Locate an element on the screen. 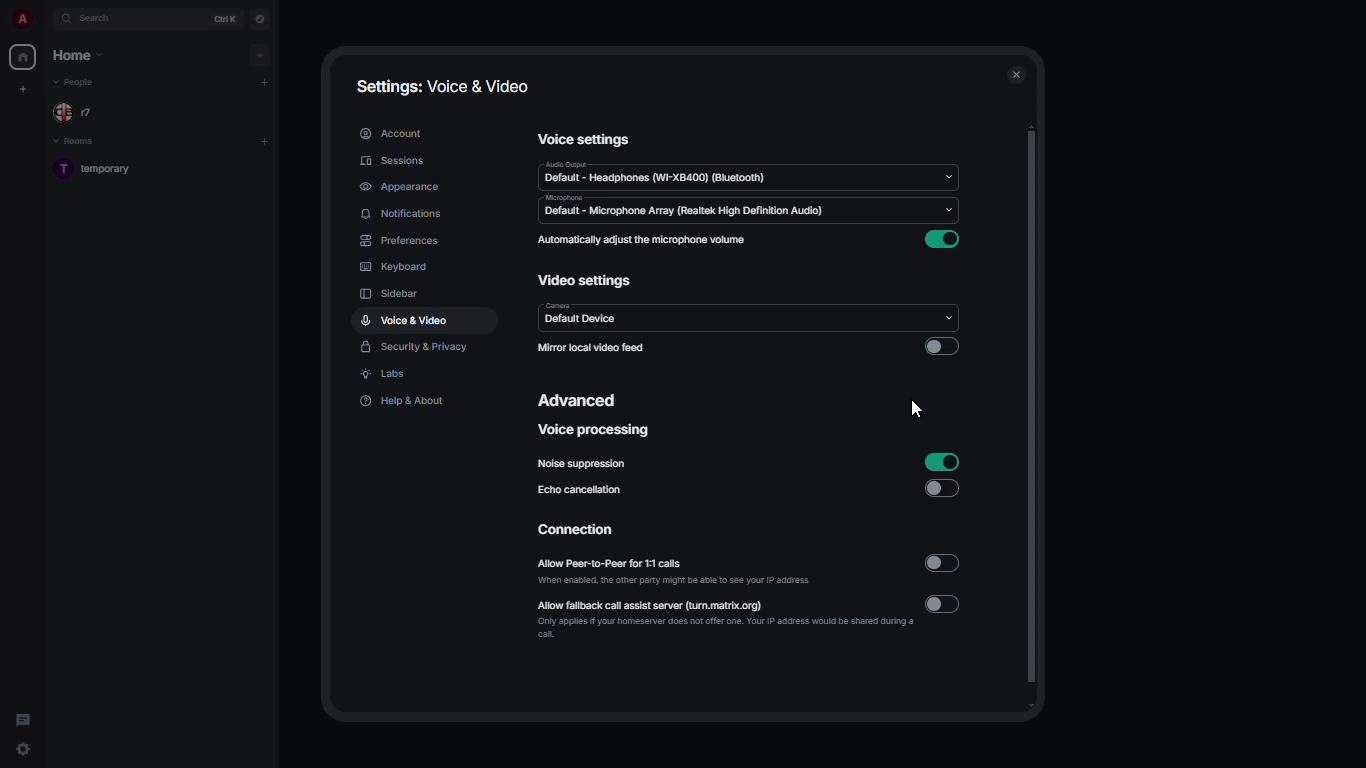 The height and width of the screenshot is (768, 1366). appearance is located at coordinates (401, 188).